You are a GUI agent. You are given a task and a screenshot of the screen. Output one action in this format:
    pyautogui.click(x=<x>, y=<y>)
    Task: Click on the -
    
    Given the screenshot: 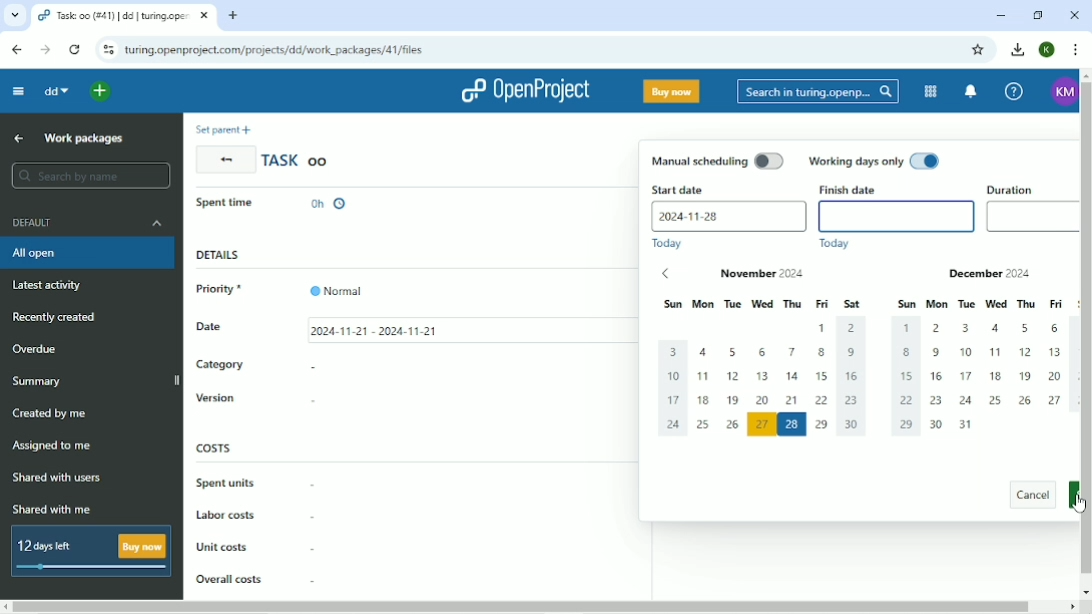 What is the action you would take?
    pyautogui.click(x=313, y=516)
    